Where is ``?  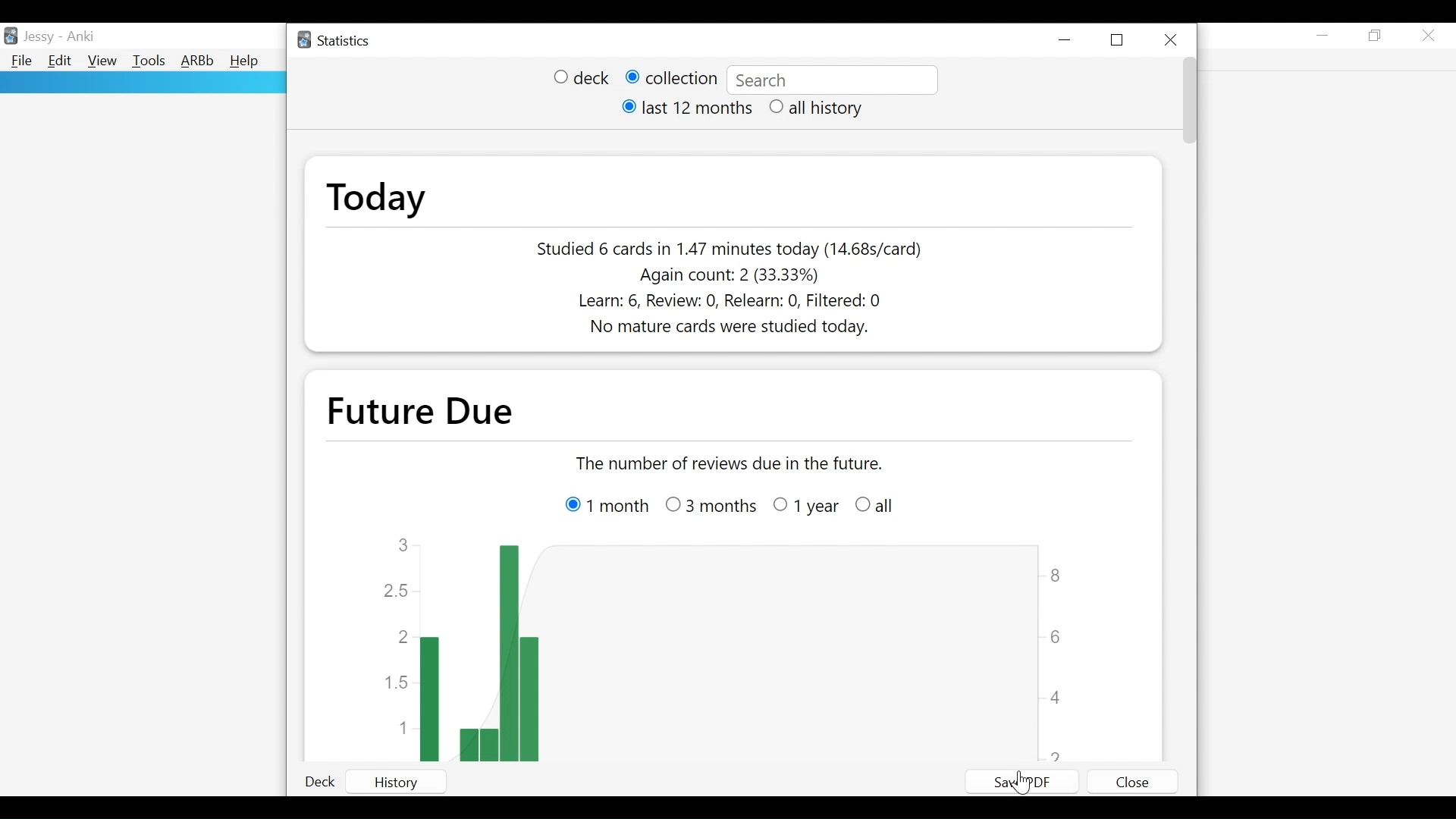  is located at coordinates (805, 508).